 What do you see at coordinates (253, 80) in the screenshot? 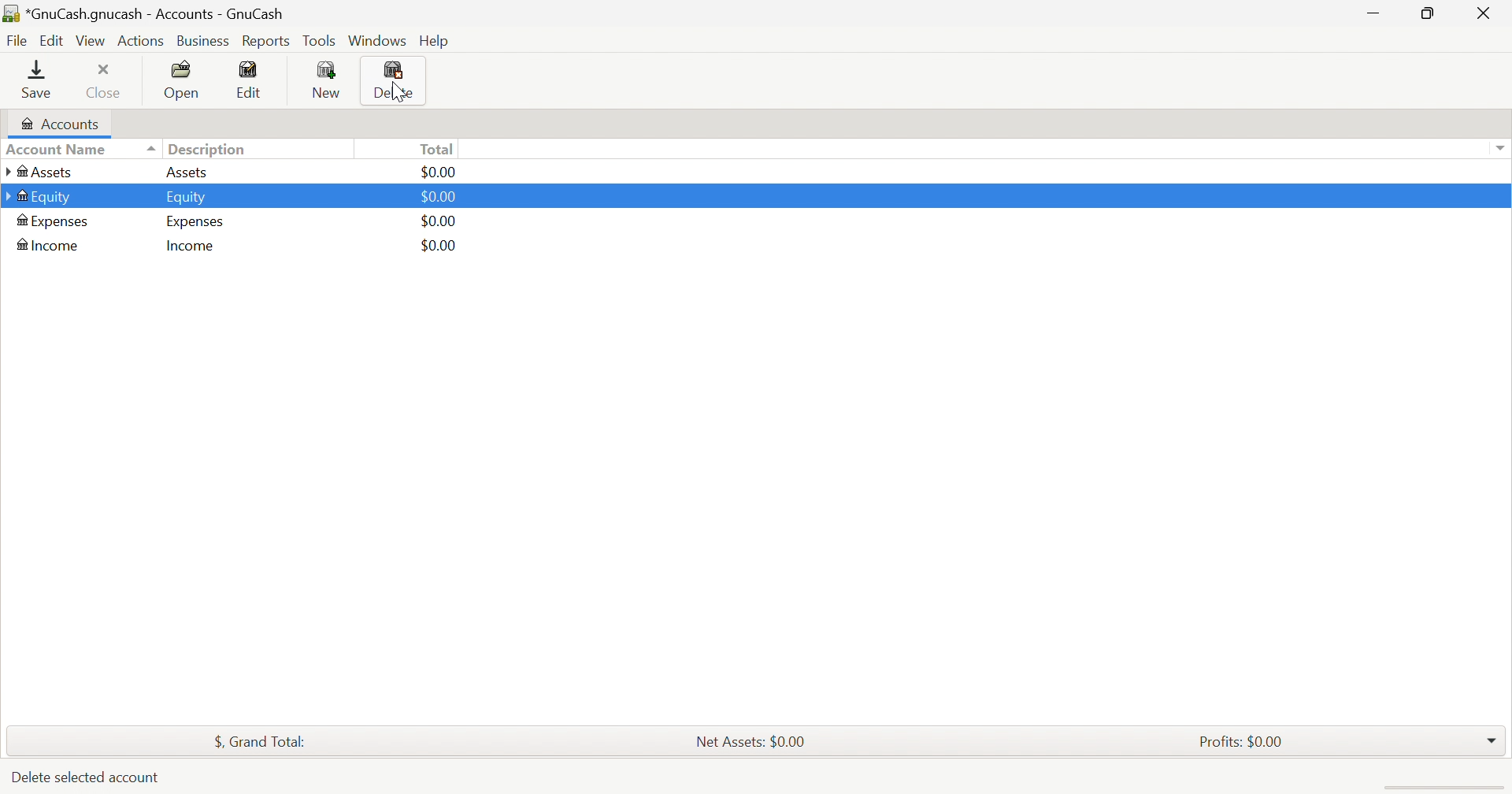
I see `Edit` at bounding box center [253, 80].